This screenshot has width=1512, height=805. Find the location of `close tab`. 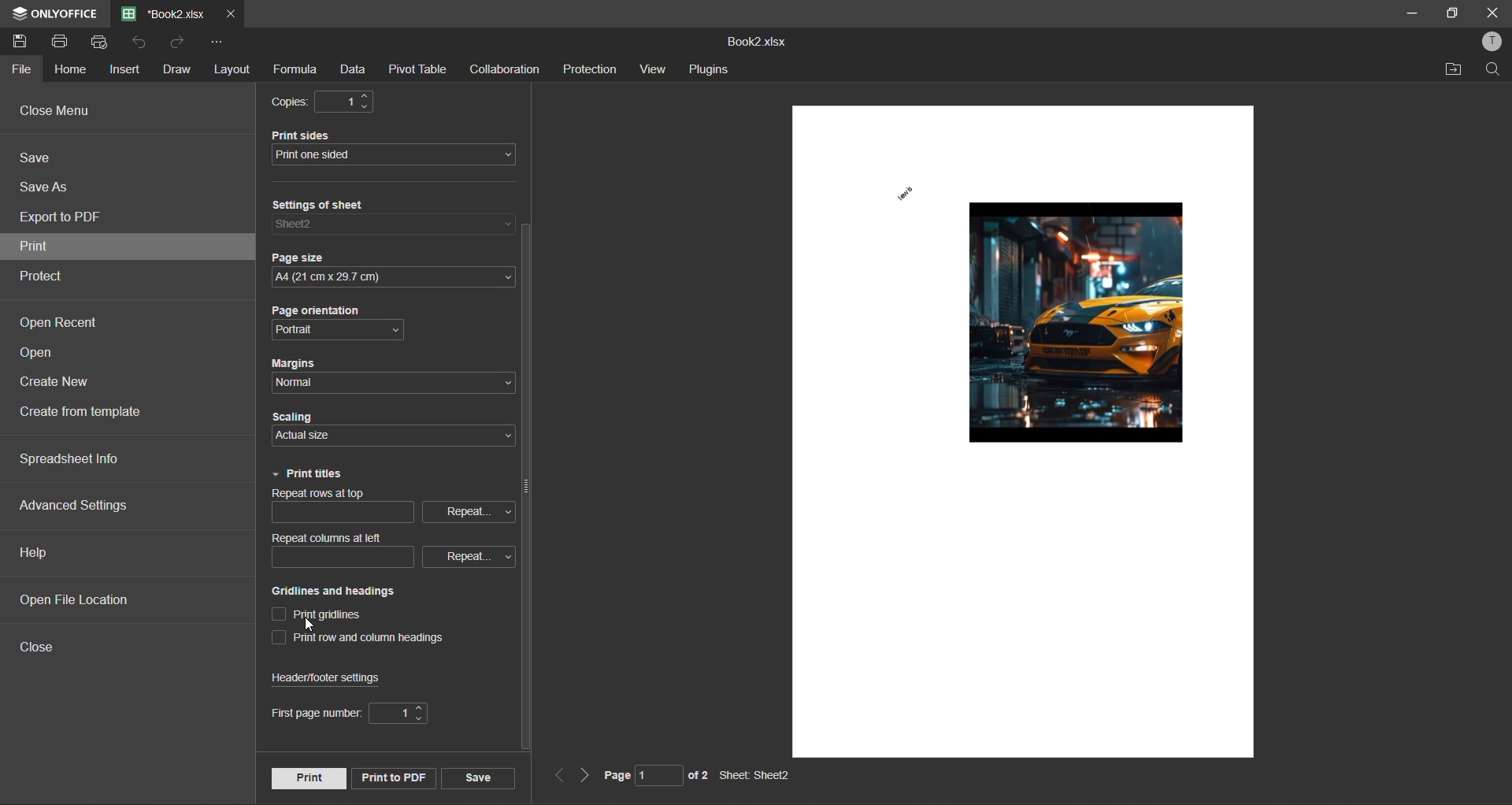

close tab is located at coordinates (229, 11).